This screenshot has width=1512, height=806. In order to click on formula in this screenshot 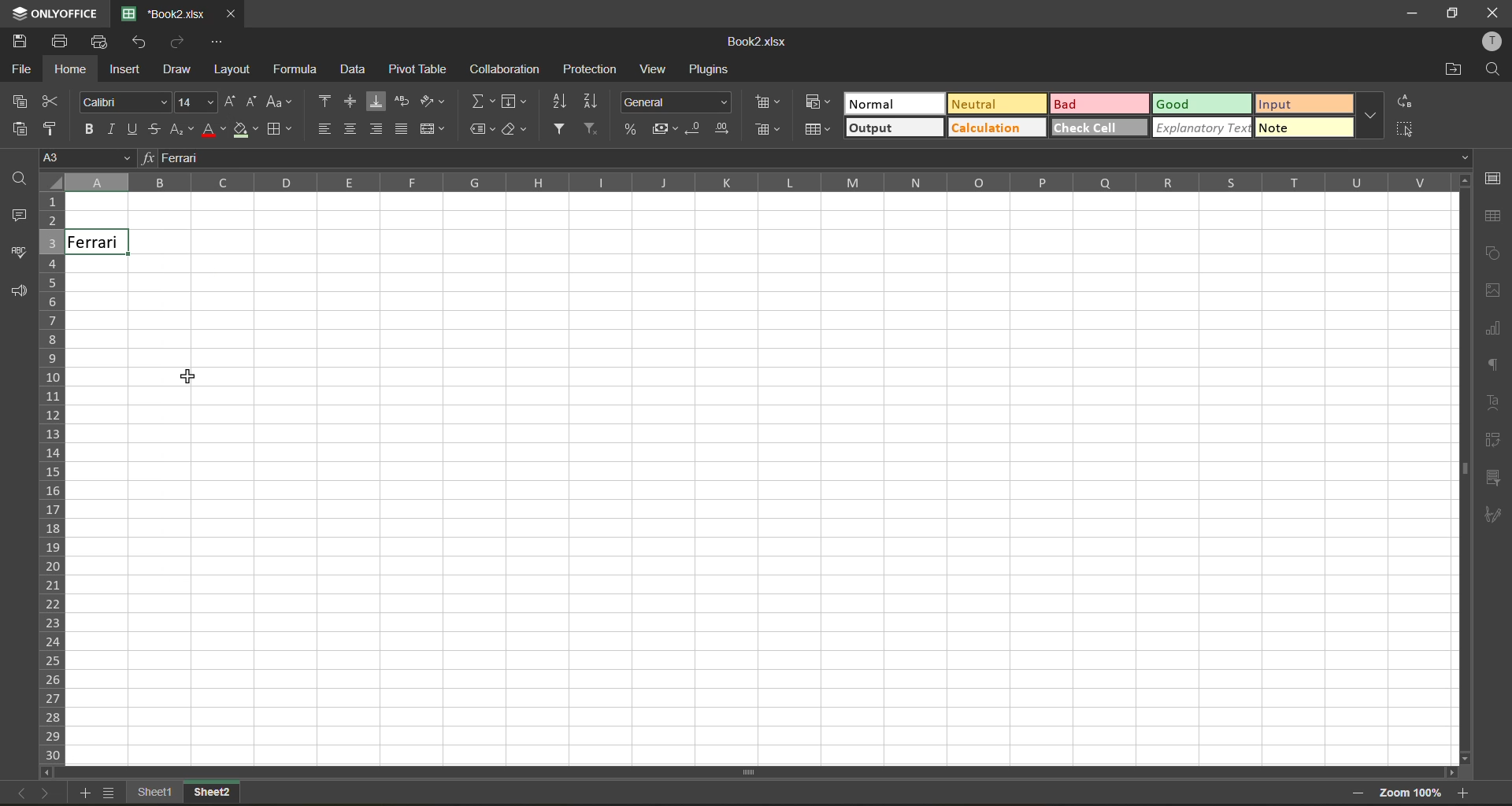, I will do `click(298, 71)`.